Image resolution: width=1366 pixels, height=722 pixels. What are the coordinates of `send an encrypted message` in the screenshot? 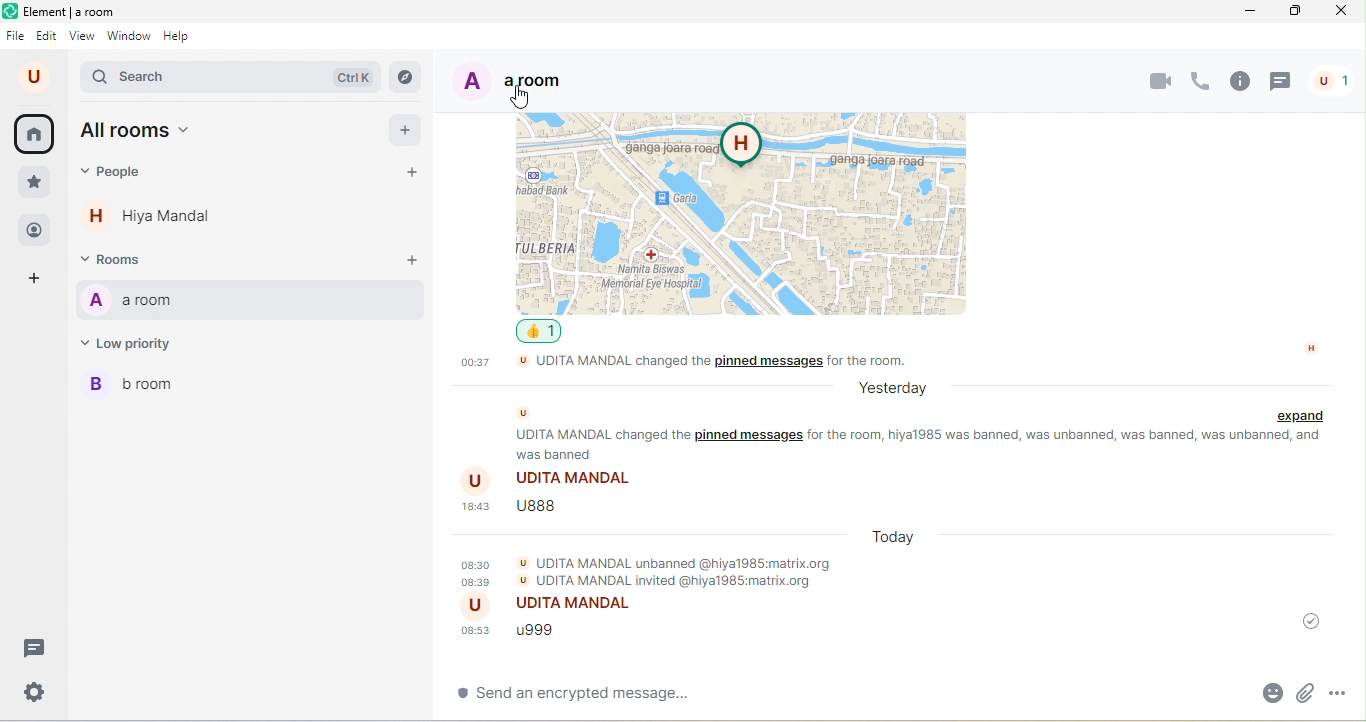 It's located at (601, 698).